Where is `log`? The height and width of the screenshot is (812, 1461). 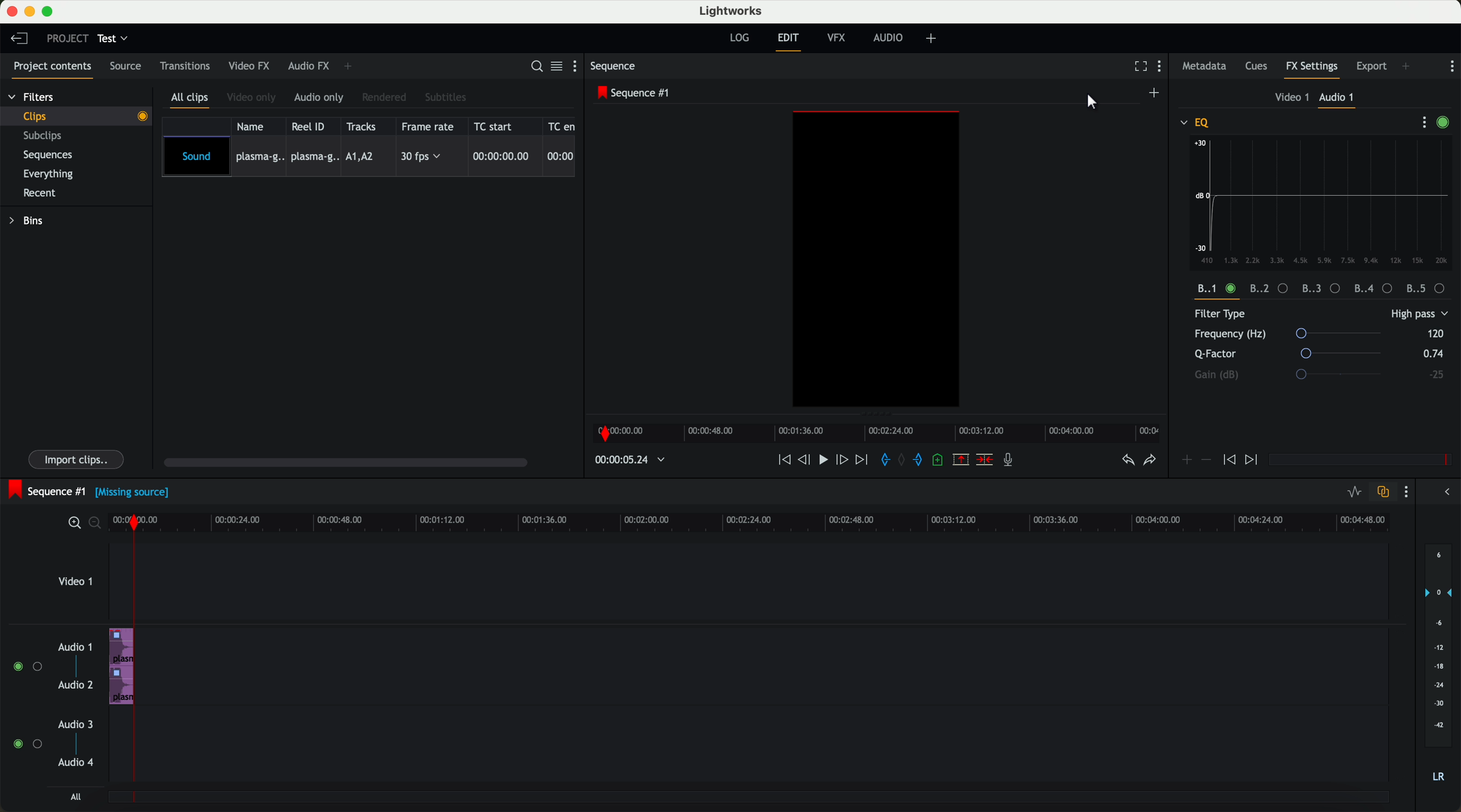 log is located at coordinates (738, 38).